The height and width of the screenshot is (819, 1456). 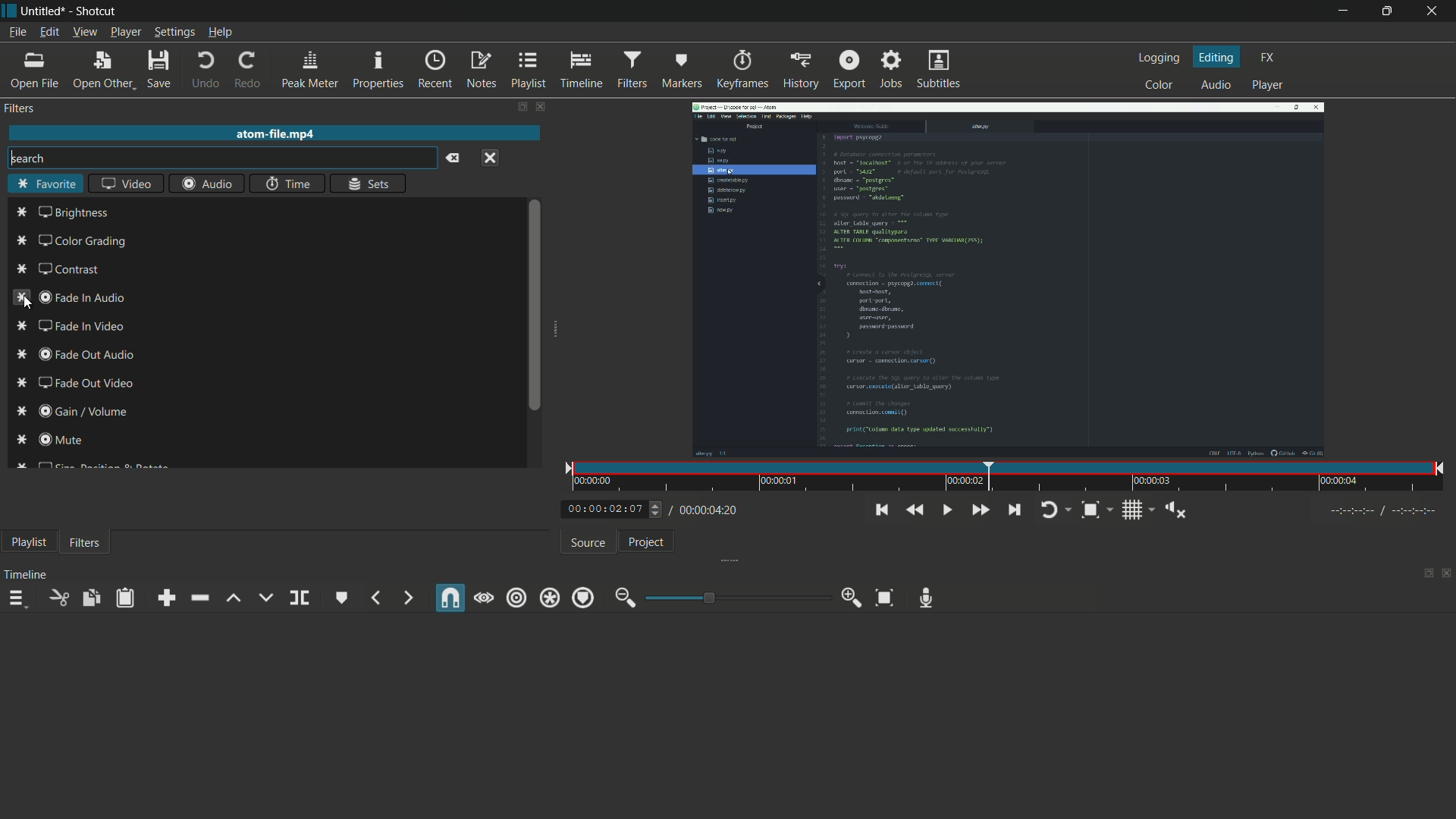 What do you see at coordinates (548, 599) in the screenshot?
I see `ripple all tracks` at bounding box center [548, 599].